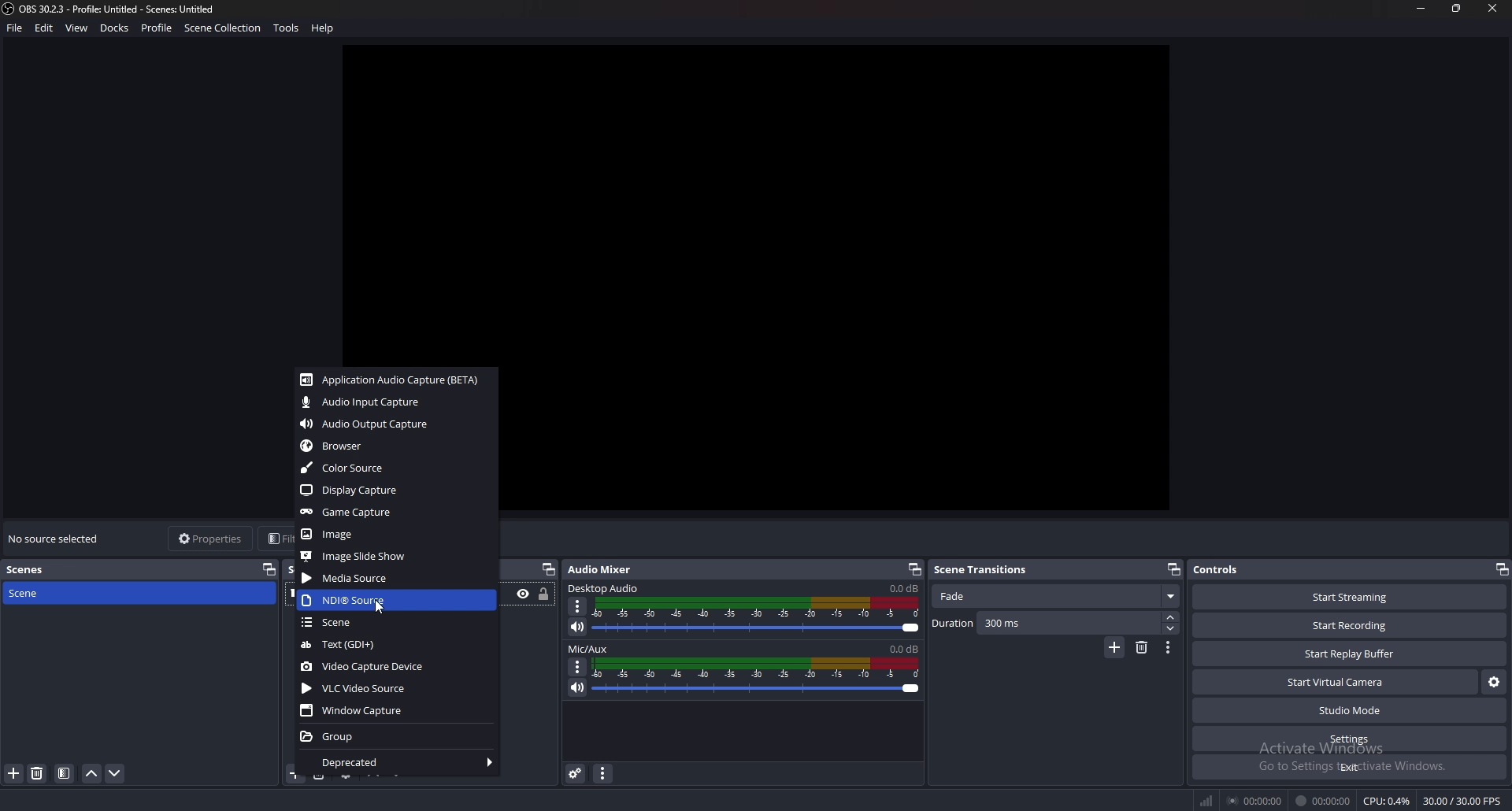 This screenshot has height=811, width=1512. I want to click on mute, so click(577, 688).